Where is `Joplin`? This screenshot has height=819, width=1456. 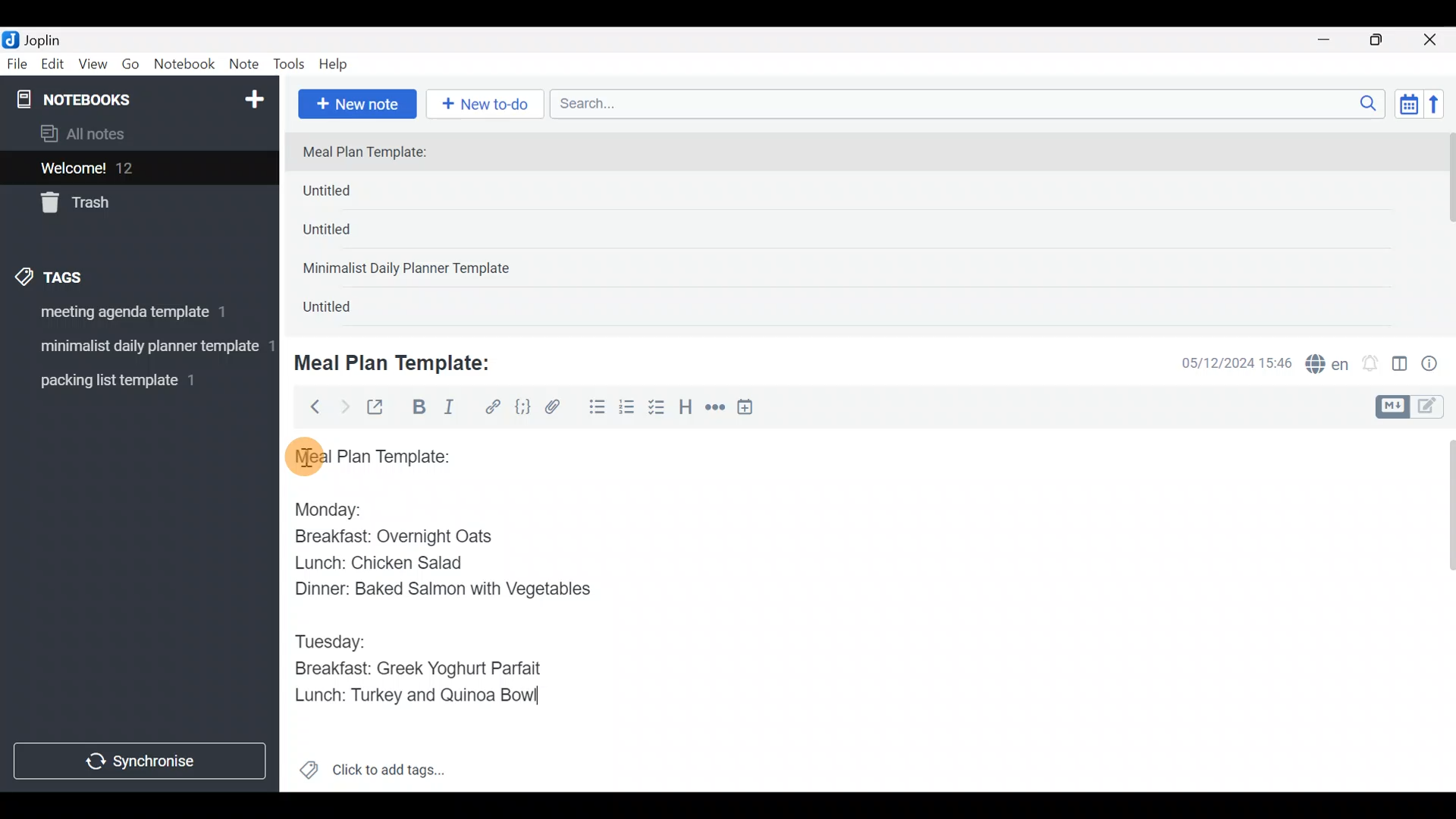
Joplin is located at coordinates (52, 38).